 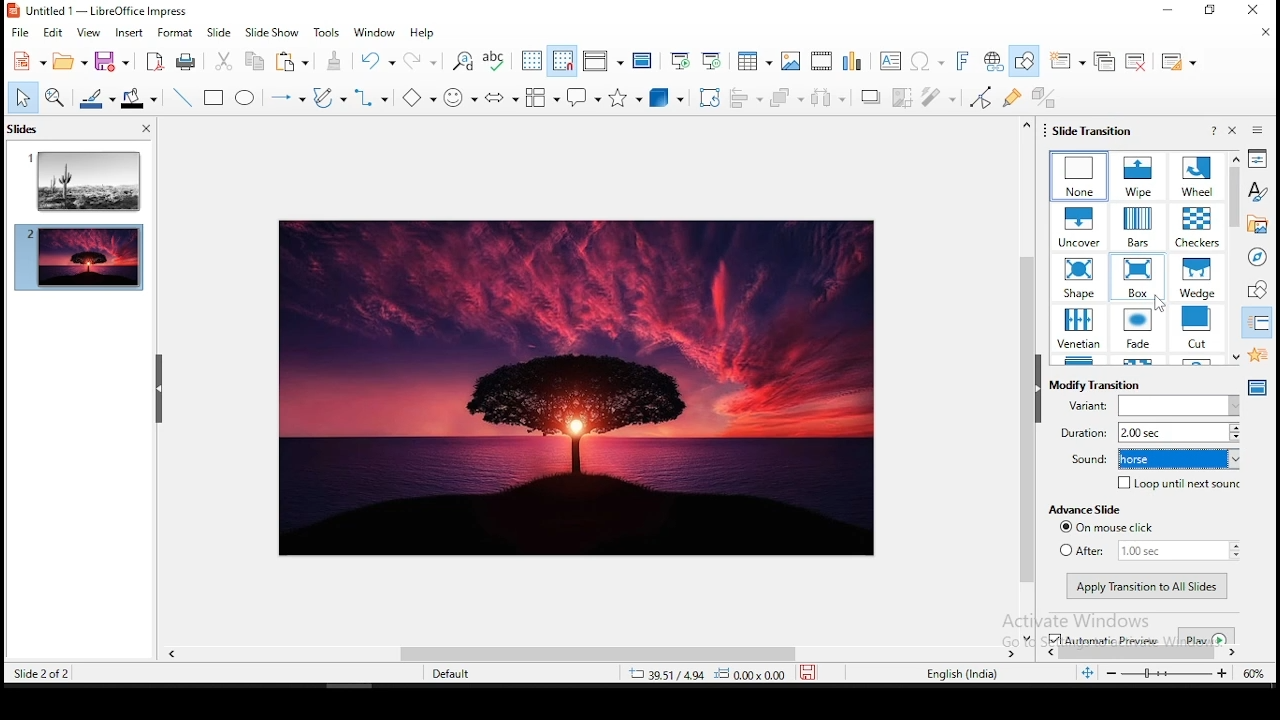 What do you see at coordinates (1104, 61) in the screenshot?
I see `duplicate slide` at bounding box center [1104, 61].